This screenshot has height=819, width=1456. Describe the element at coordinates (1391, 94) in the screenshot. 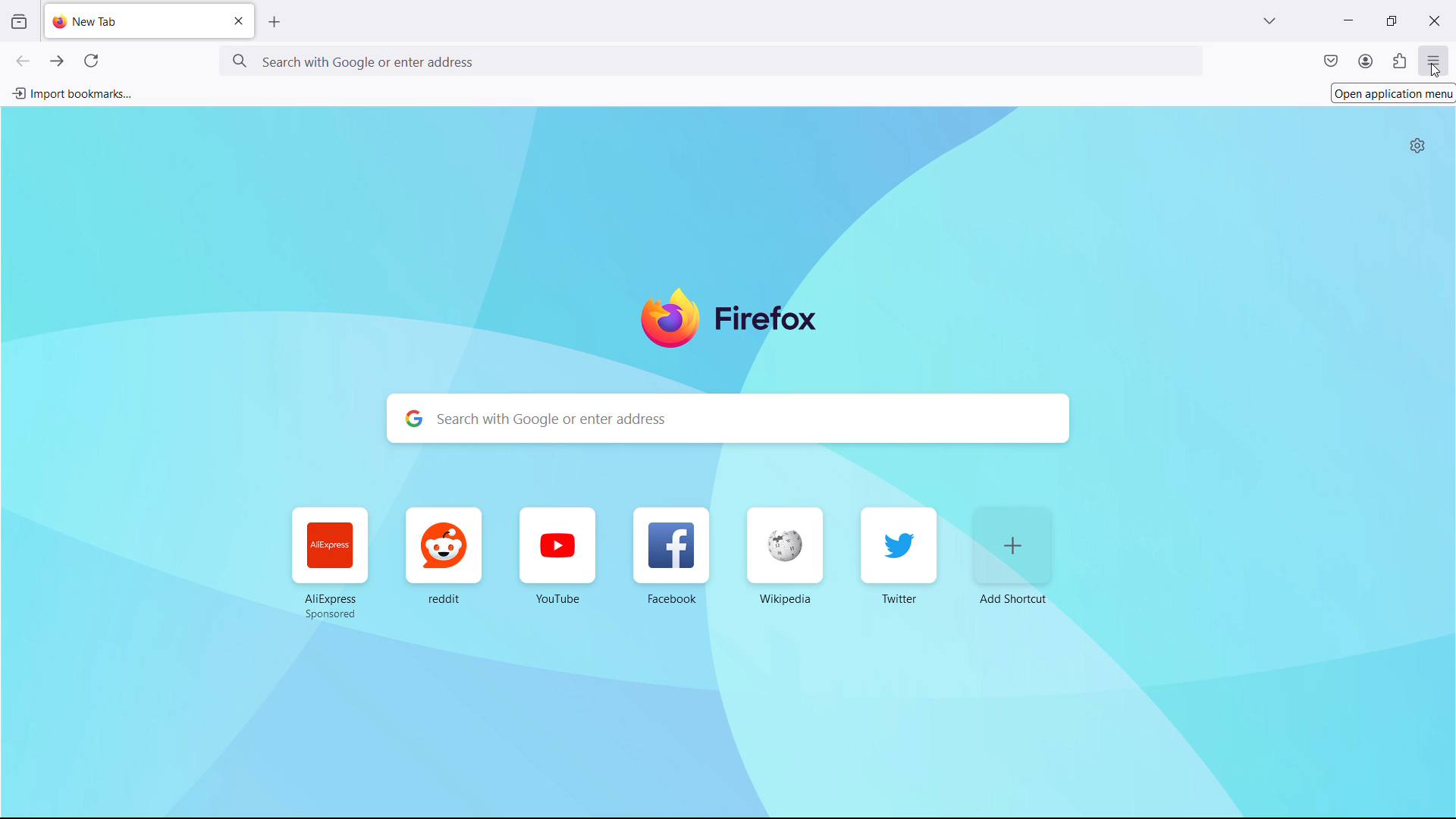

I see `Open application menu` at that location.